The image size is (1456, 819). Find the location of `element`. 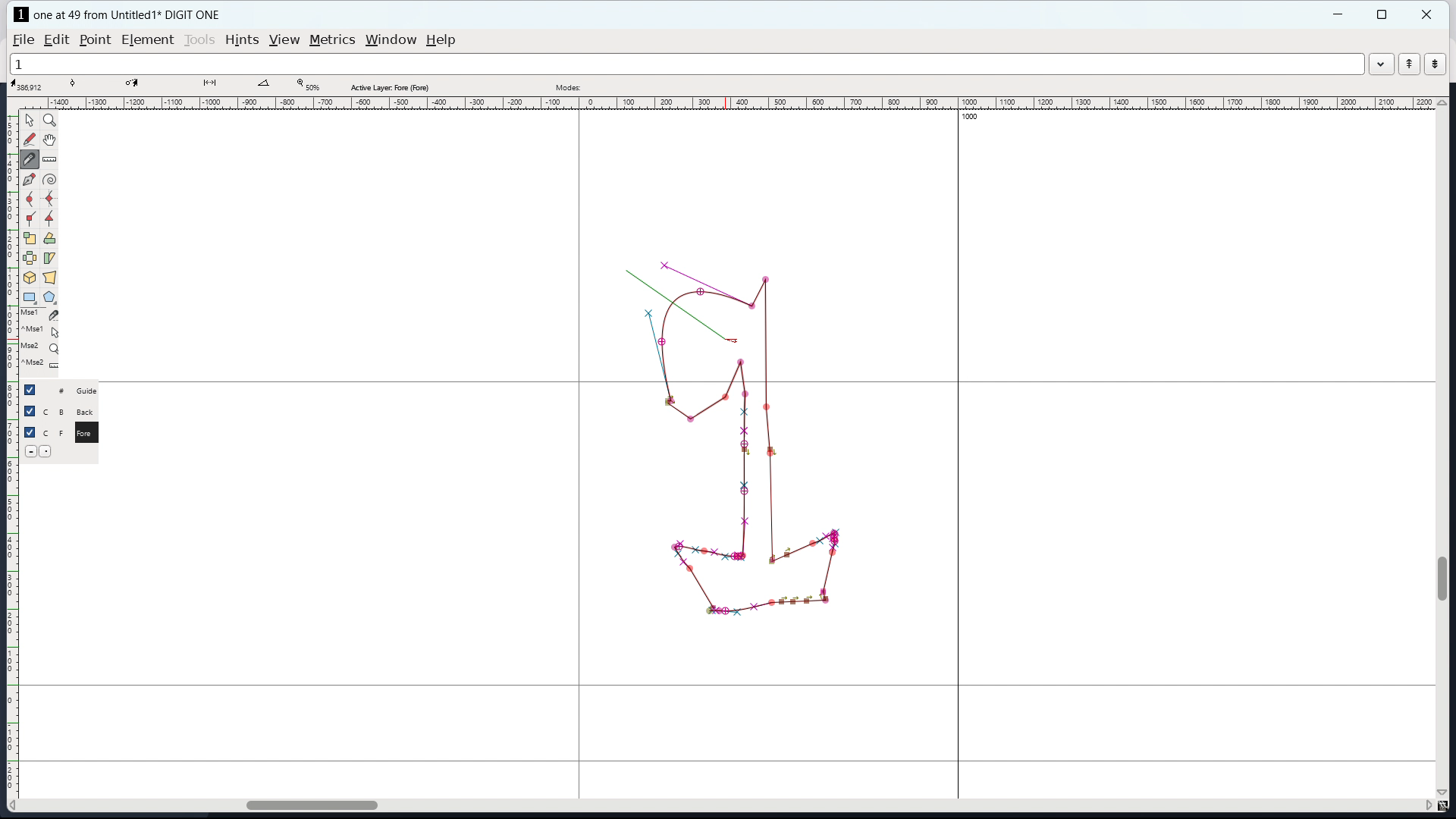

element is located at coordinates (147, 39).